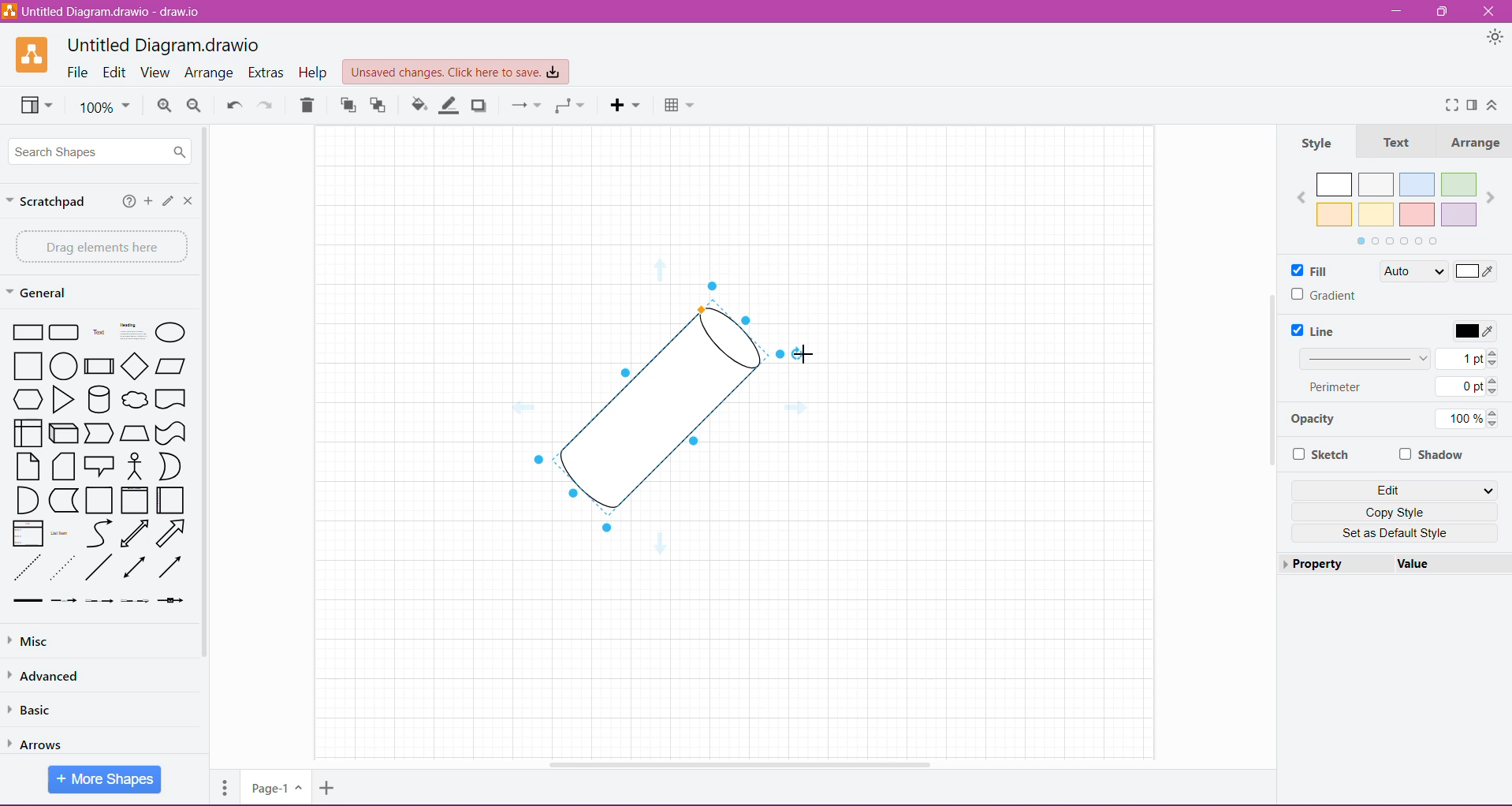  I want to click on Fill Color, so click(416, 107).